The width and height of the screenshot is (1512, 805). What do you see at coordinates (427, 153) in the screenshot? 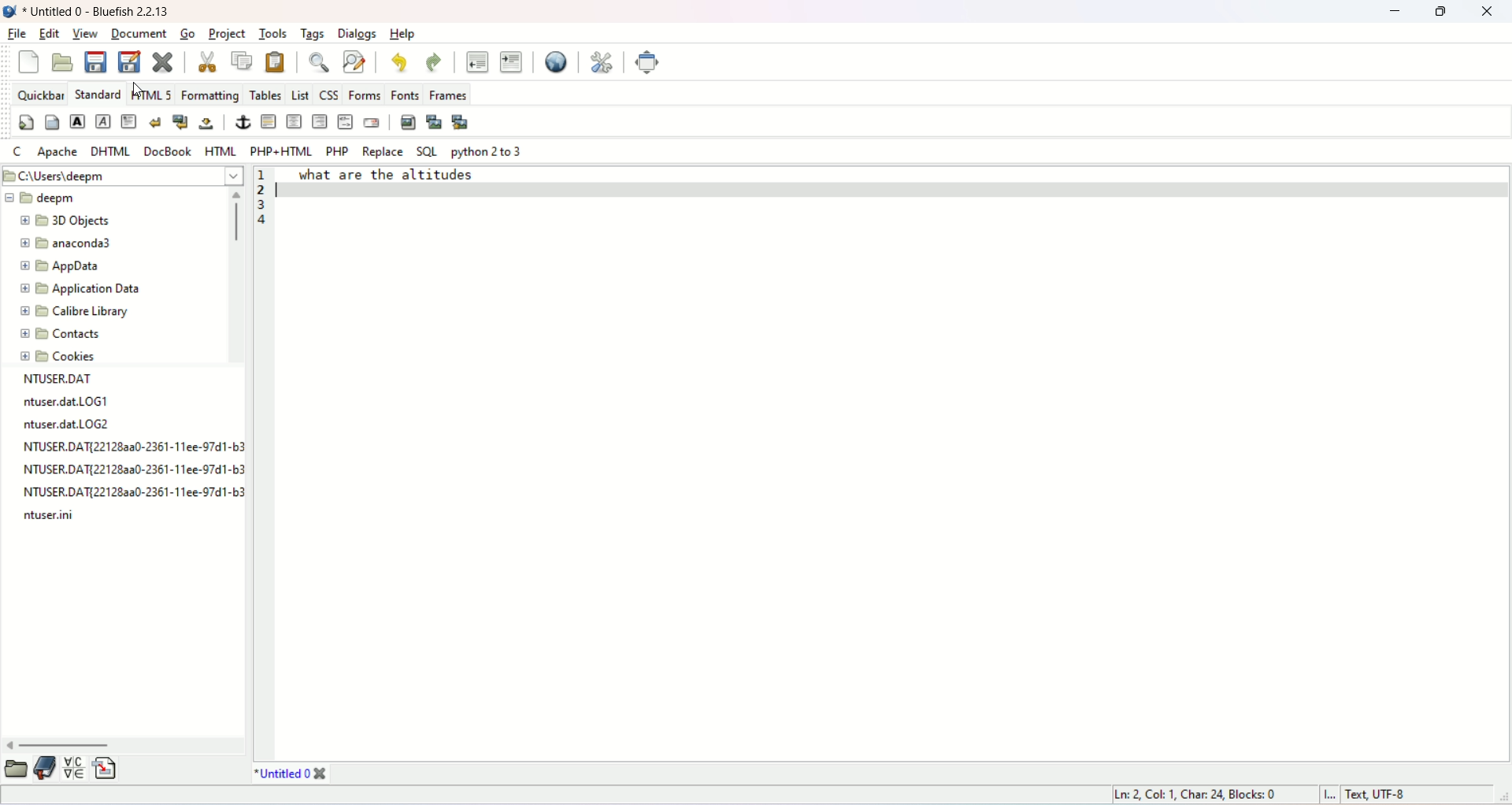
I see `SQL` at bounding box center [427, 153].